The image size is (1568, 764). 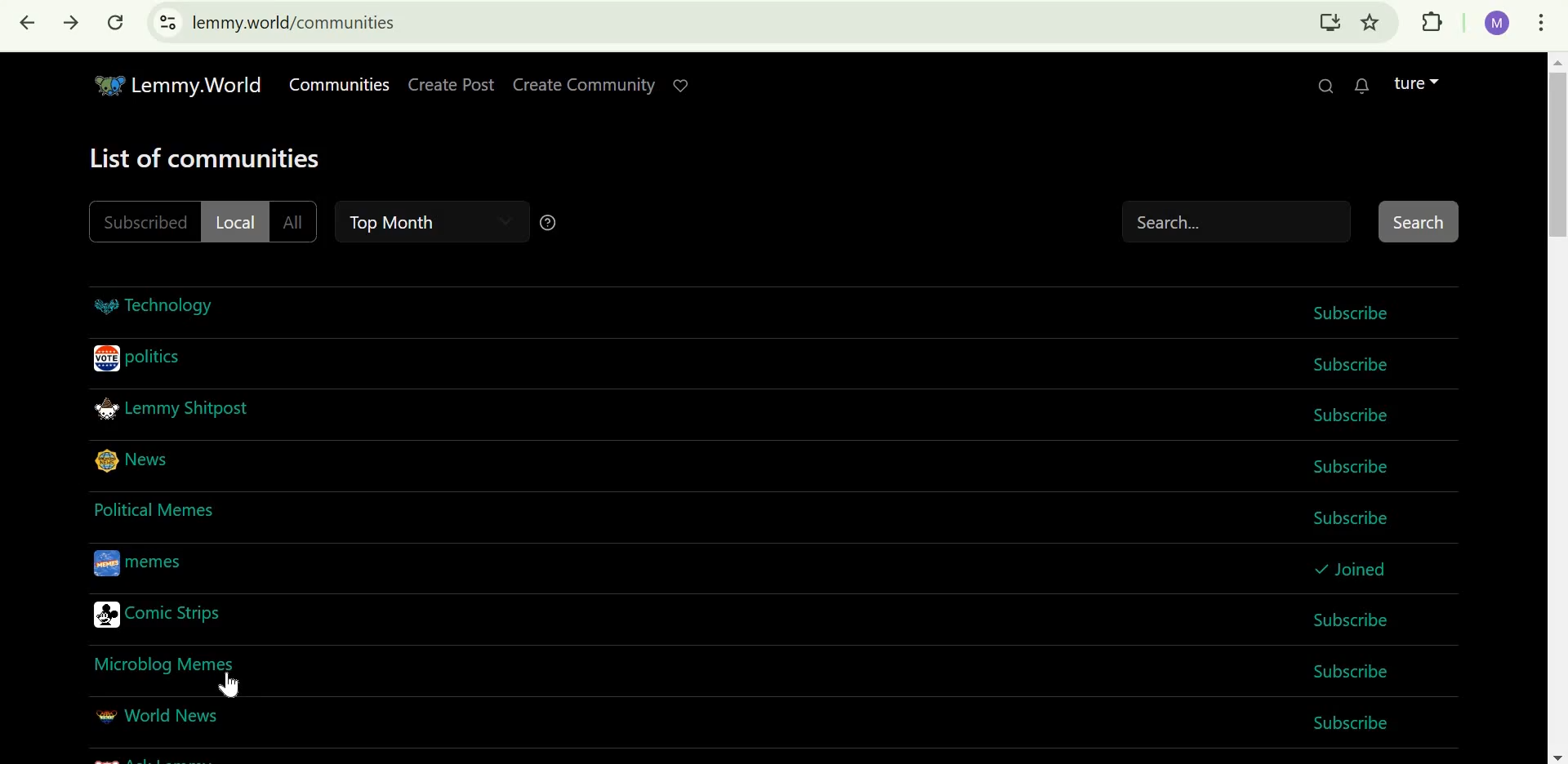 What do you see at coordinates (168, 24) in the screenshot?
I see `View site information` at bounding box center [168, 24].